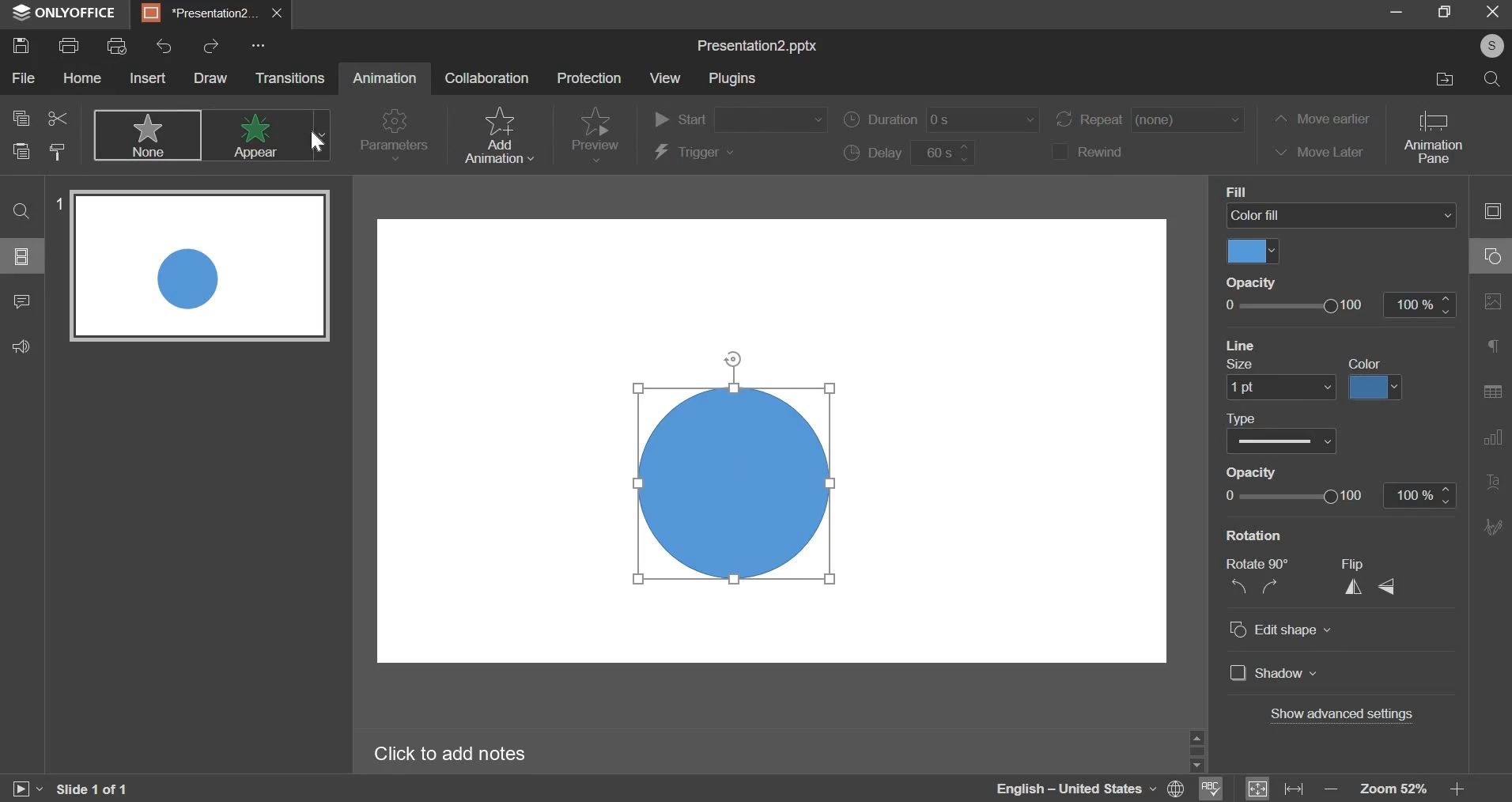 The height and width of the screenshot is (802, 1512). What do you see at coordinates (1340, 494) in the screenshot?
I see `opacity` at bounding box center [1340, 494].